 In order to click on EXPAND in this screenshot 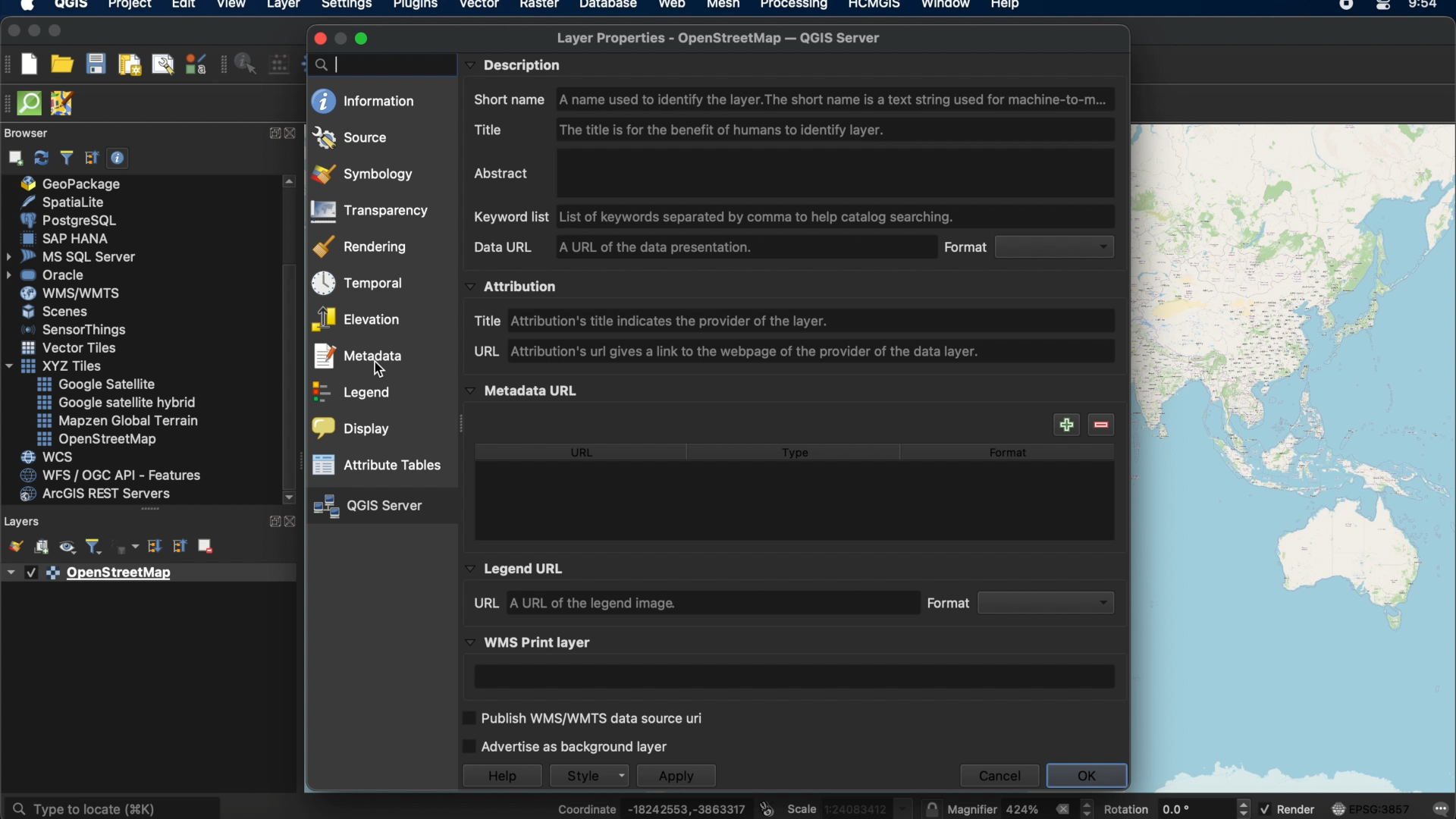, I will do `click(271, 523)`.